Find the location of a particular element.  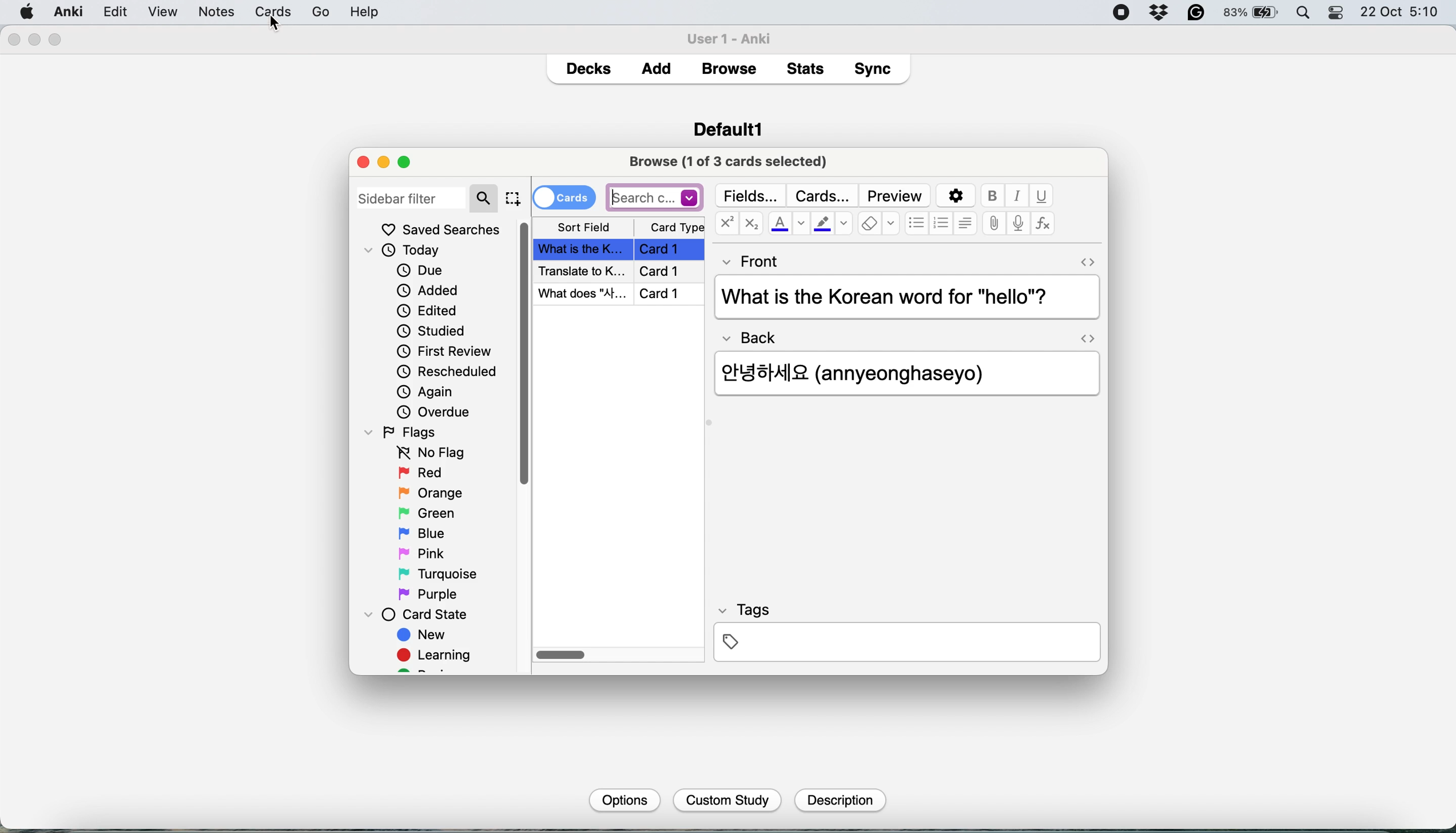

settings is located at coordinates (954, 196).